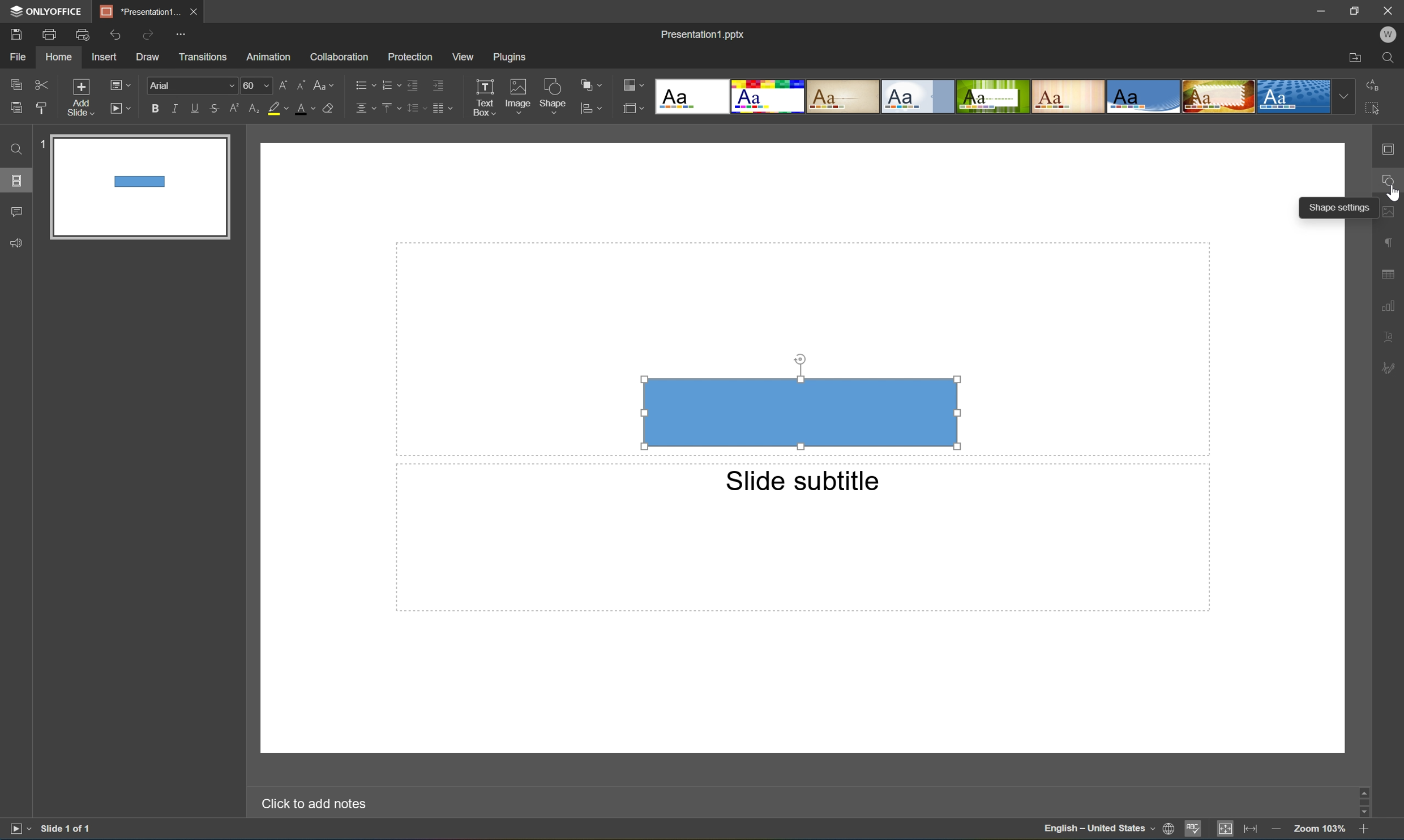 The height and width of the screenshot is (840, 1404). What do you see at coordinates (1391, 192) in the screenshot?
I see `Cursor` at bounding box center [1391, 192].